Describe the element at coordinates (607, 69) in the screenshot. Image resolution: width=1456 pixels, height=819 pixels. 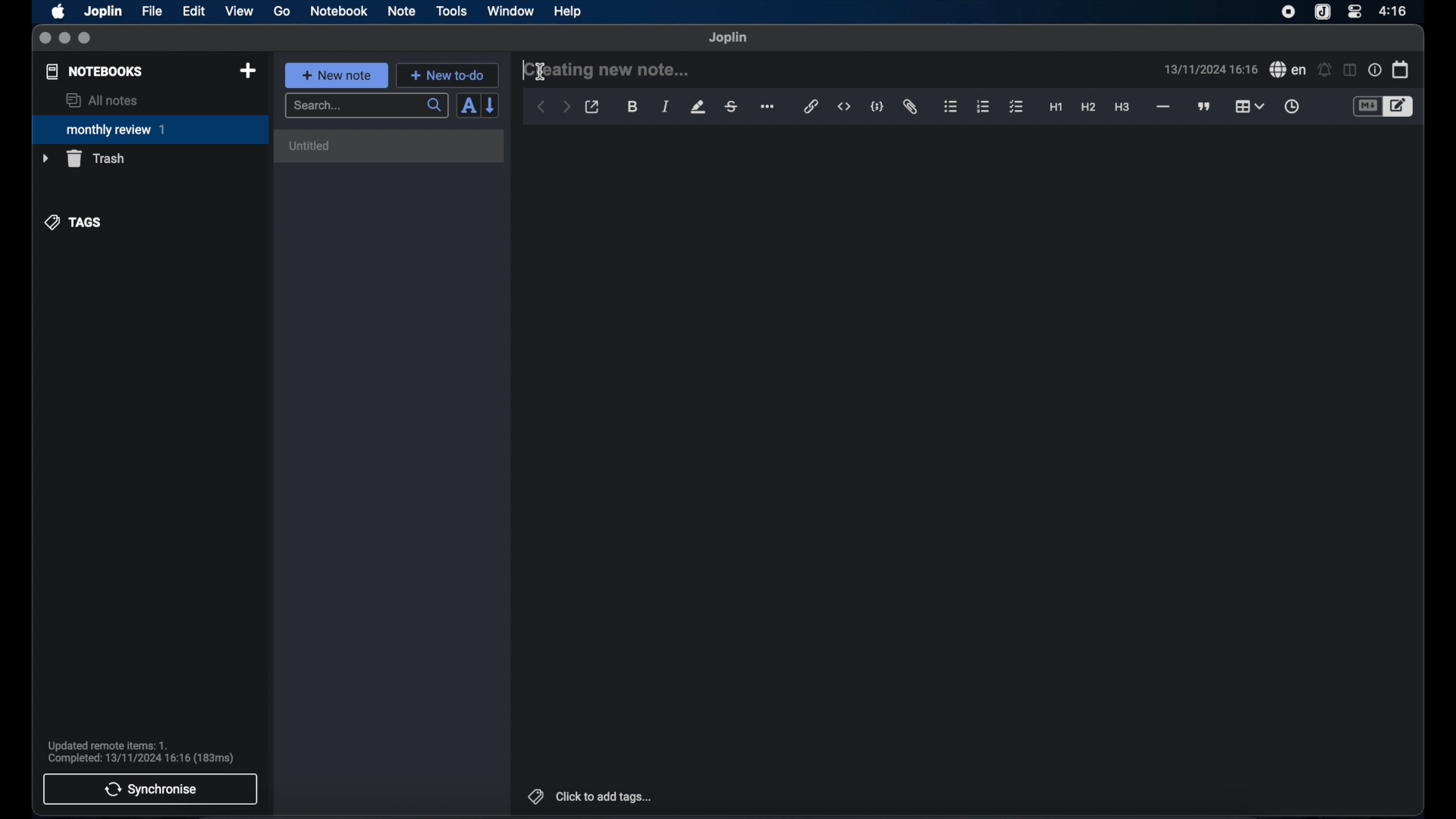
I see `creating new note` at that location.